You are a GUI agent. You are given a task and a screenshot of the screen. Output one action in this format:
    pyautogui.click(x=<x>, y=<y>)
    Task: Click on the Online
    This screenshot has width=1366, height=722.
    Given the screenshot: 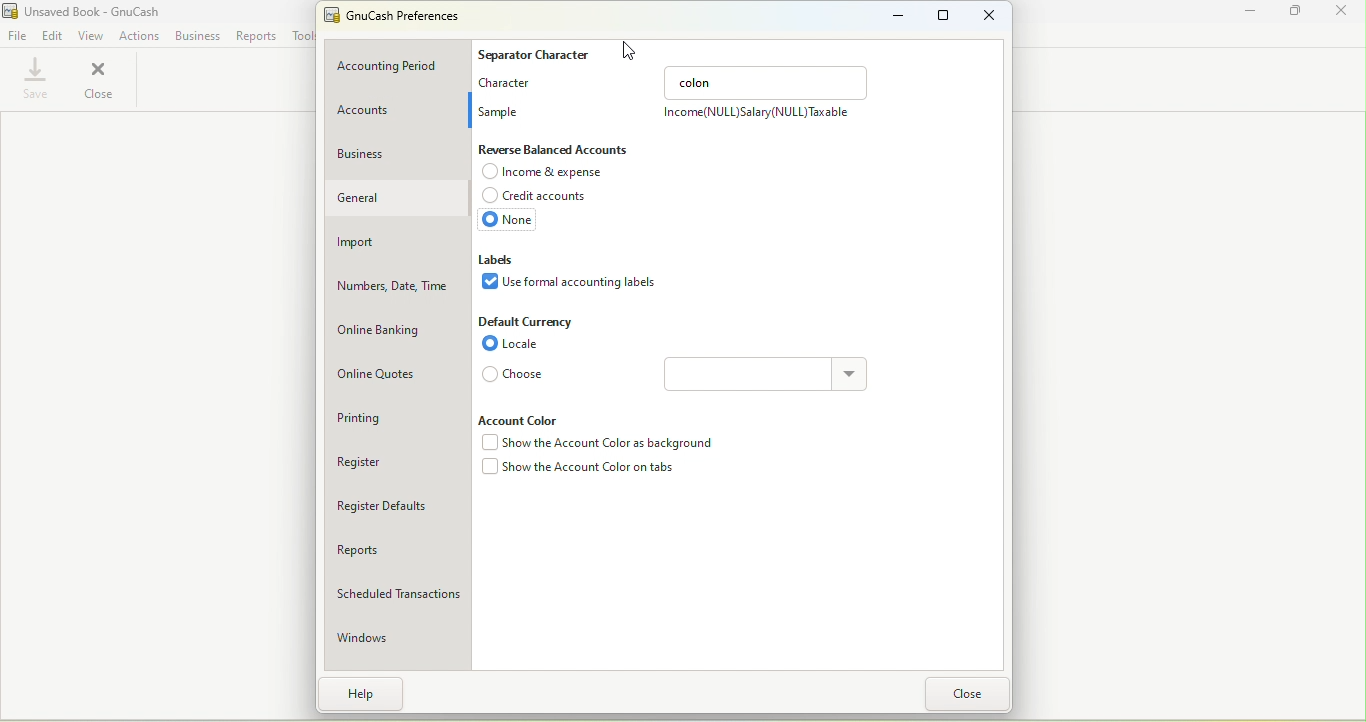 What is the action you would take?
    pyautogui.click(x=396, y=331)
    